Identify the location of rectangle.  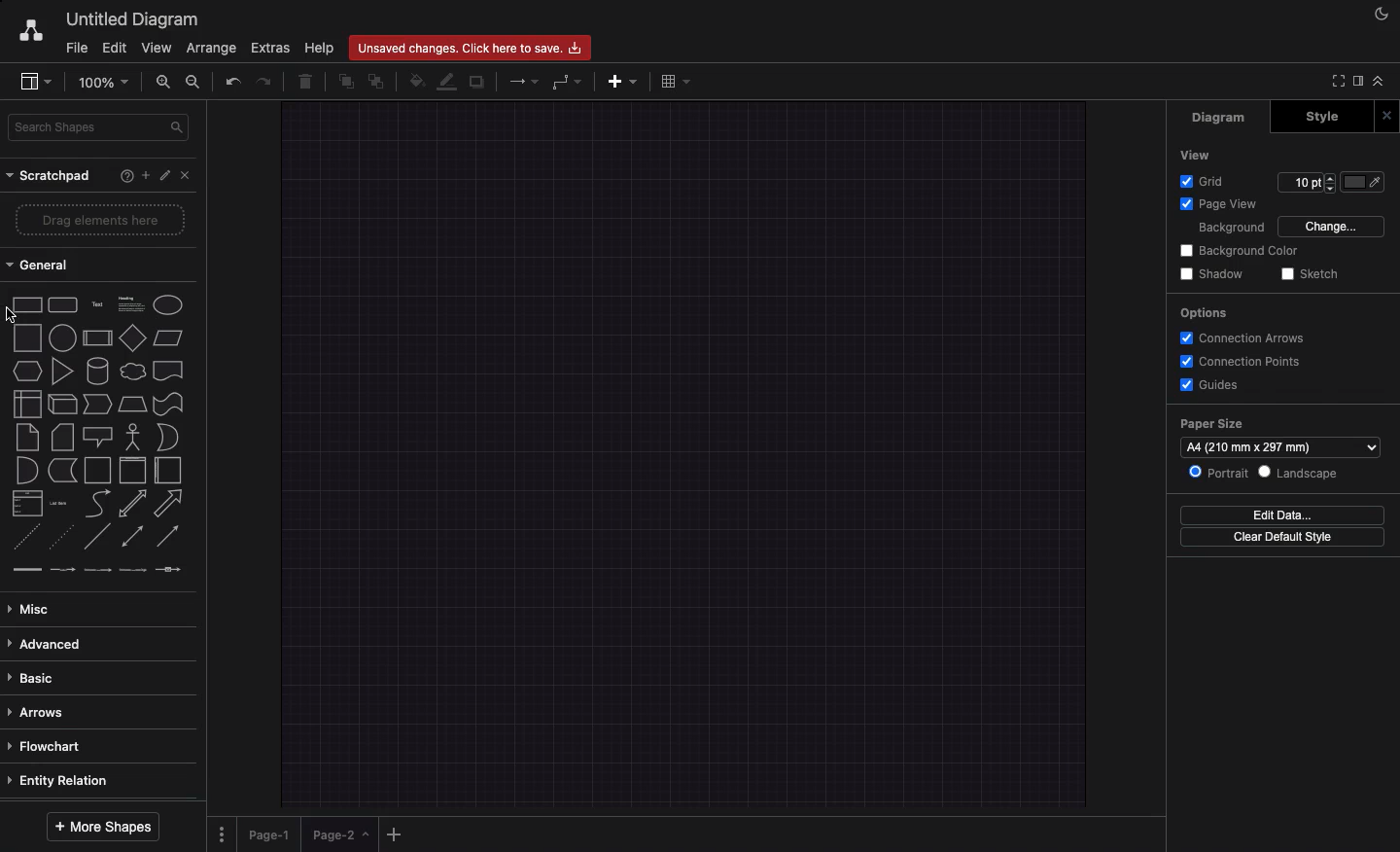
(27, 303).